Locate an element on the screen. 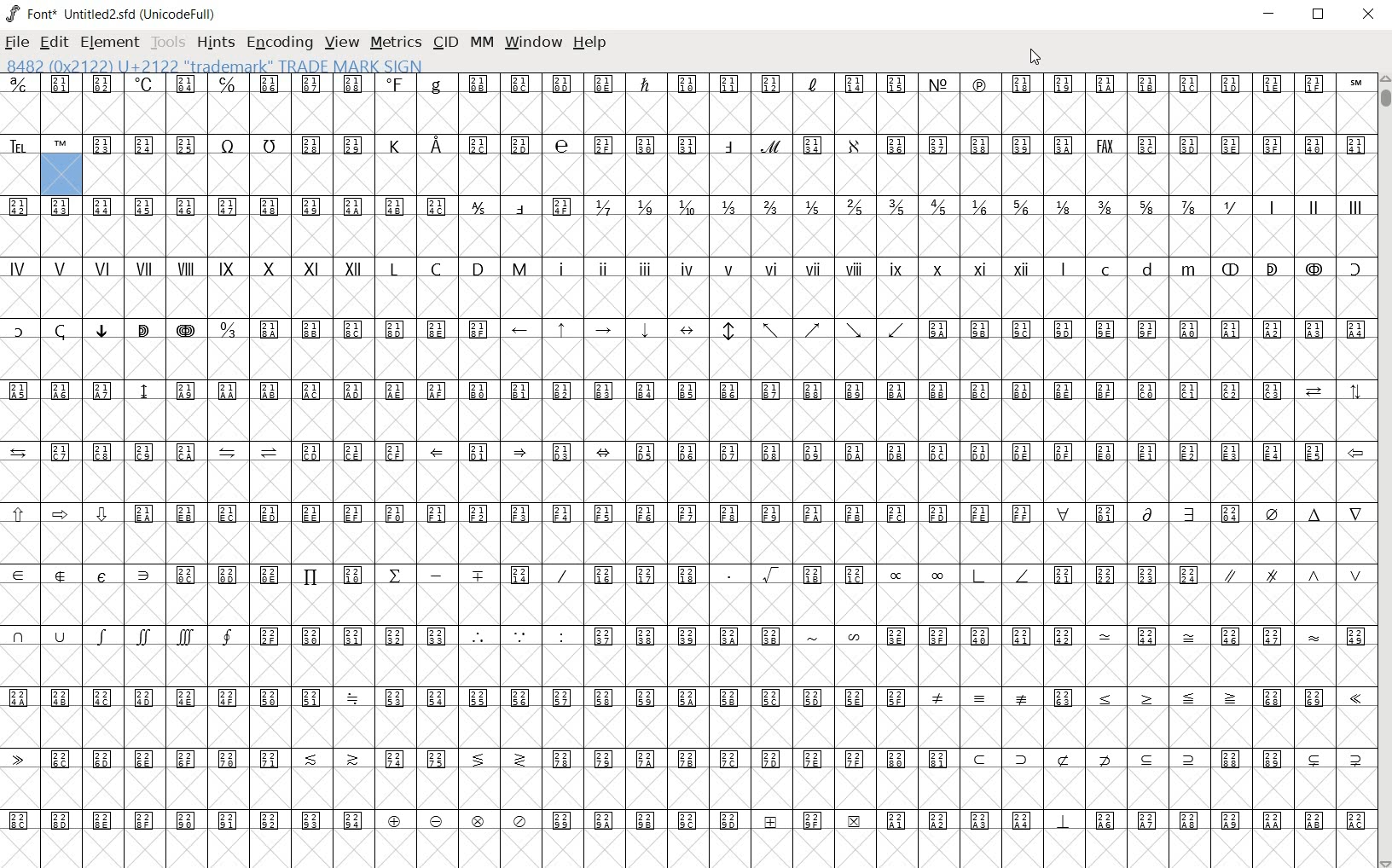  symbol is located at coordinates (294, 225).